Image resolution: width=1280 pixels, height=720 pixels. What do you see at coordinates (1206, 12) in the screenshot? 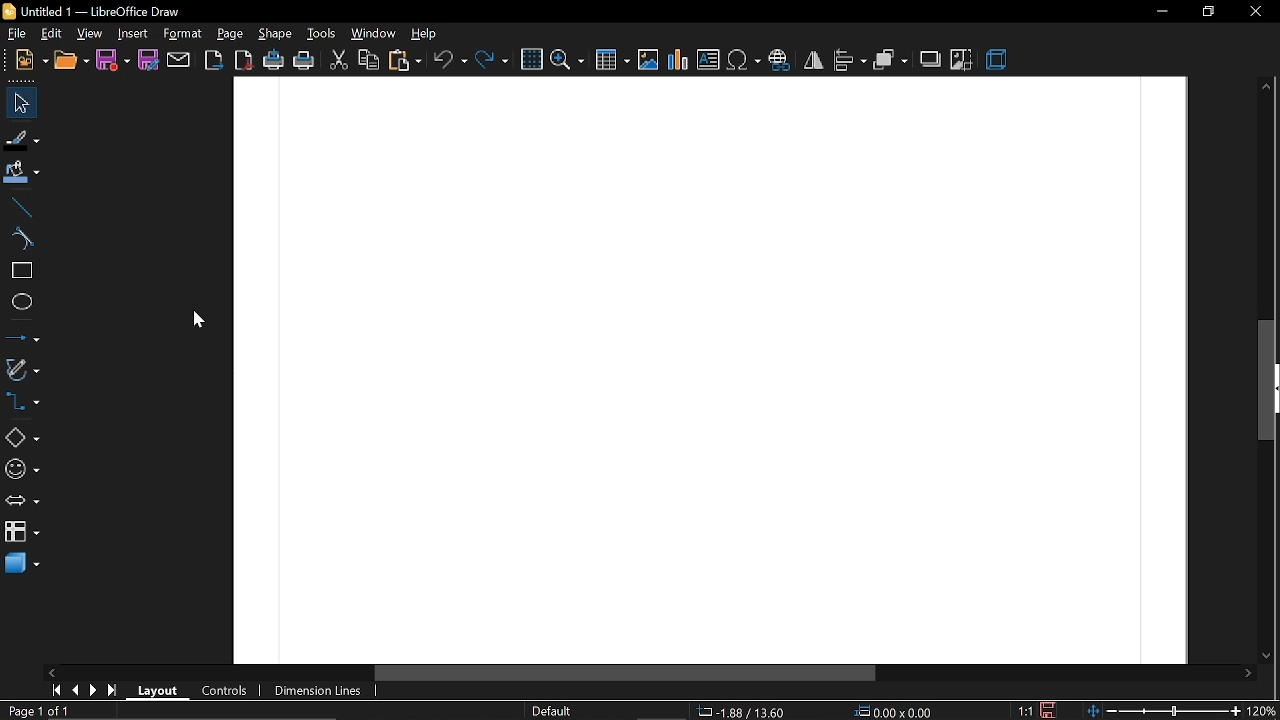
I see `restore down` at bounding box center [1206, 12].